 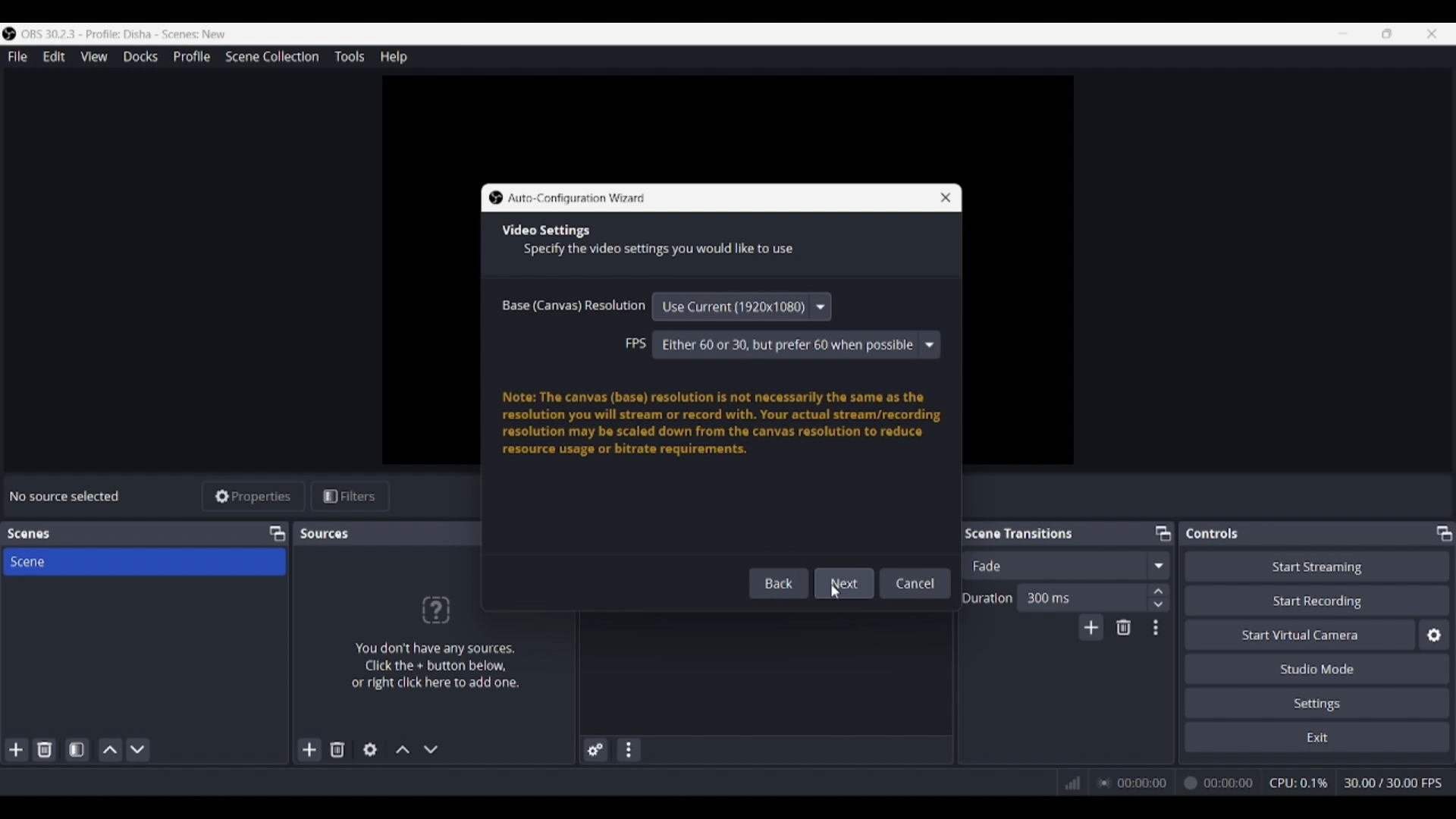 What do you see at coordinates (310, 749) in the screenshot?
I see `Add source` at bounding box center [310, 749].